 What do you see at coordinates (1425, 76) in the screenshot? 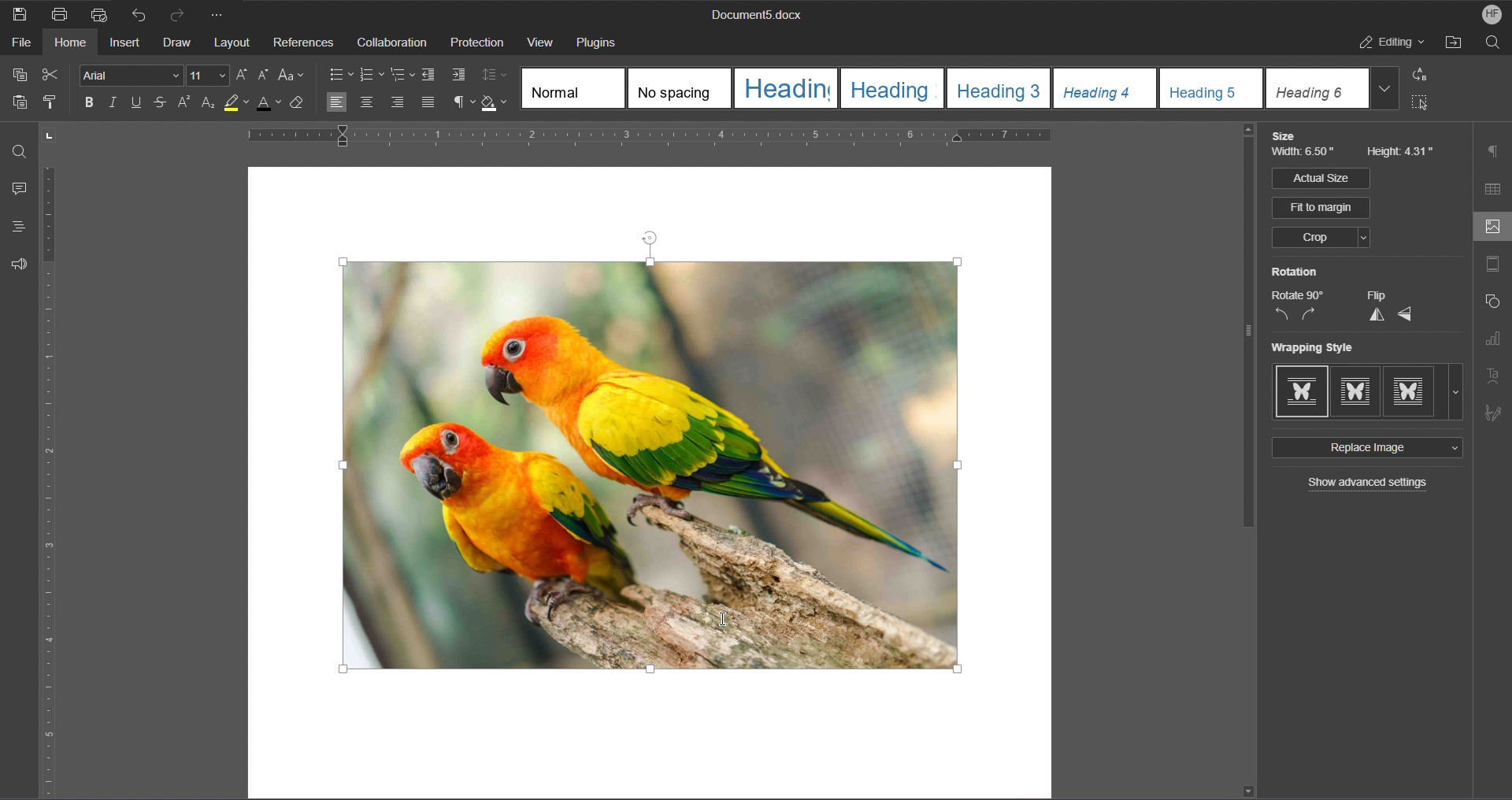
I see `Replace` at bounding box center [1425, 76].